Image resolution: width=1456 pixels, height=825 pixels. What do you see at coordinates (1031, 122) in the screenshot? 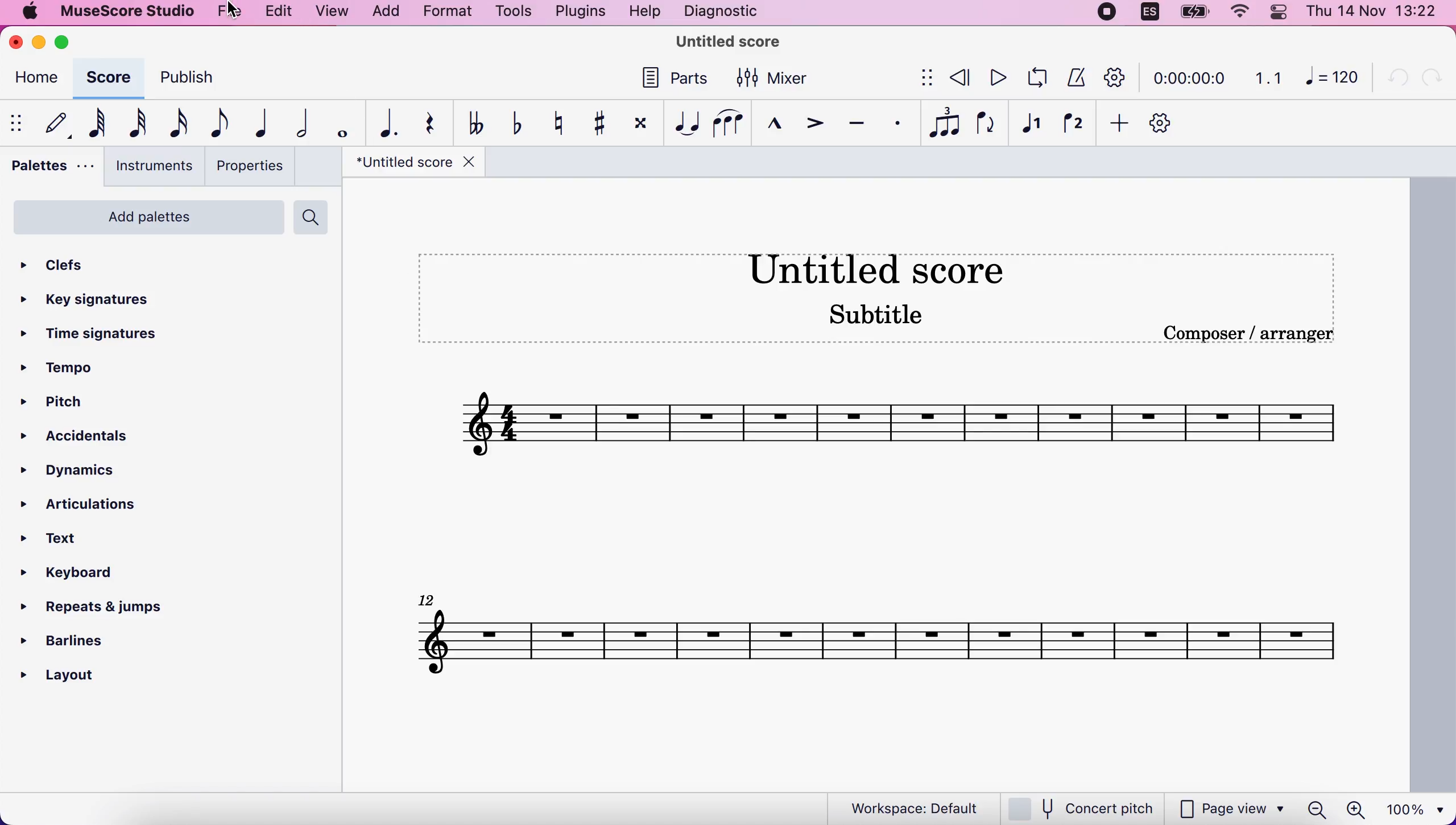
I see `voice 1` at bounding box center [1031, 122].